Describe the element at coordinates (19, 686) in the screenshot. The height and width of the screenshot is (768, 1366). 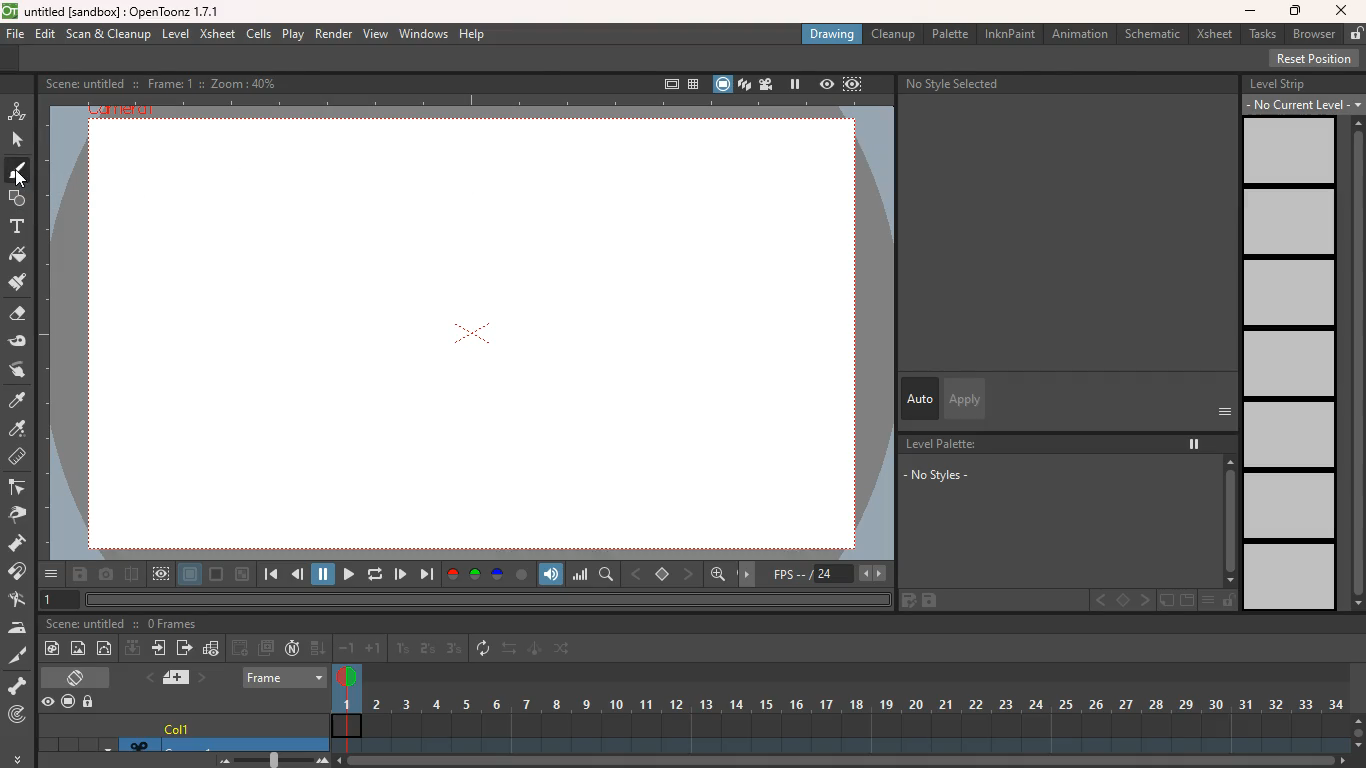
I see `skeleton` at that location.